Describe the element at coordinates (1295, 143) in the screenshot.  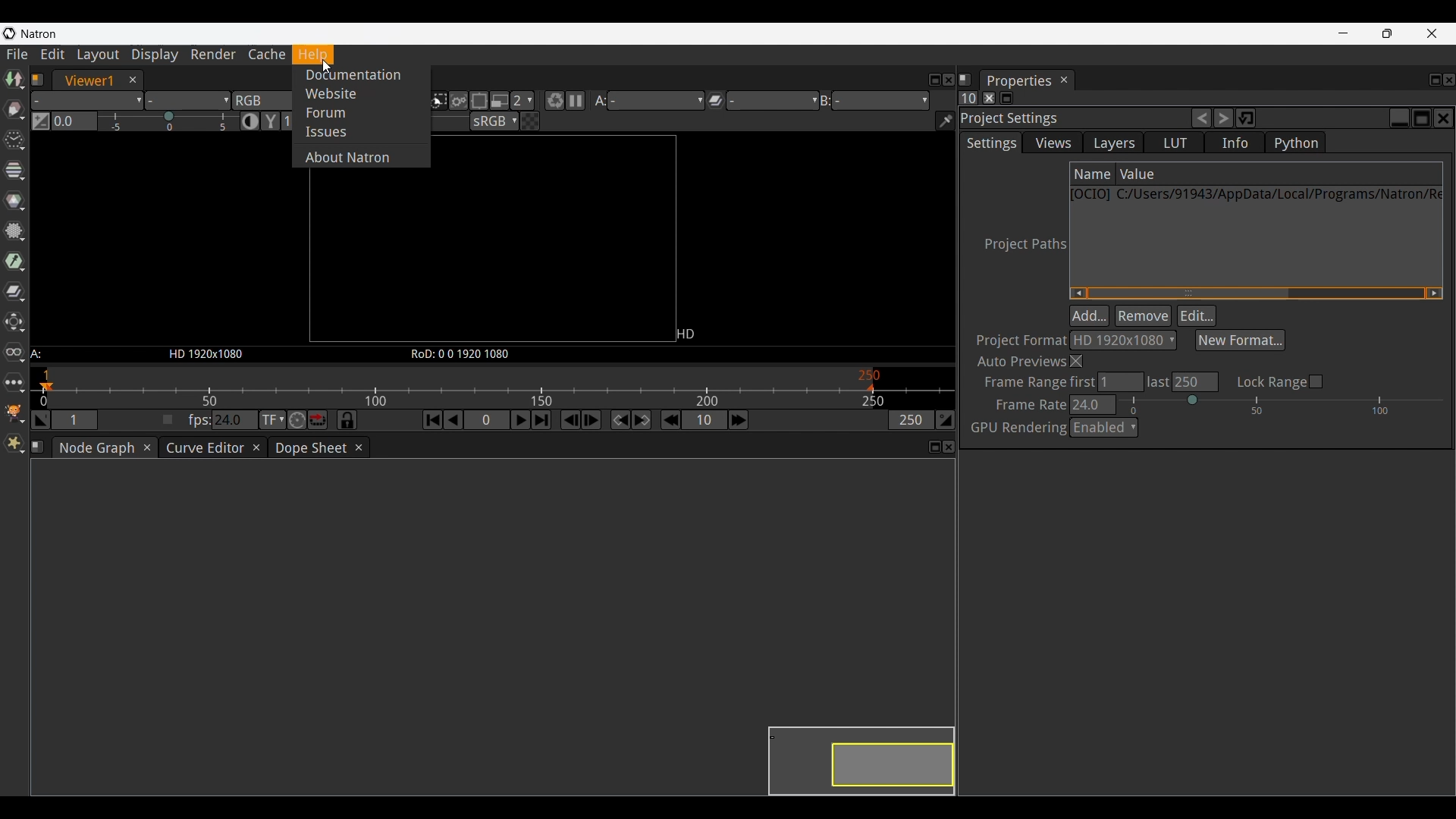
I see `Python settings` at that location.